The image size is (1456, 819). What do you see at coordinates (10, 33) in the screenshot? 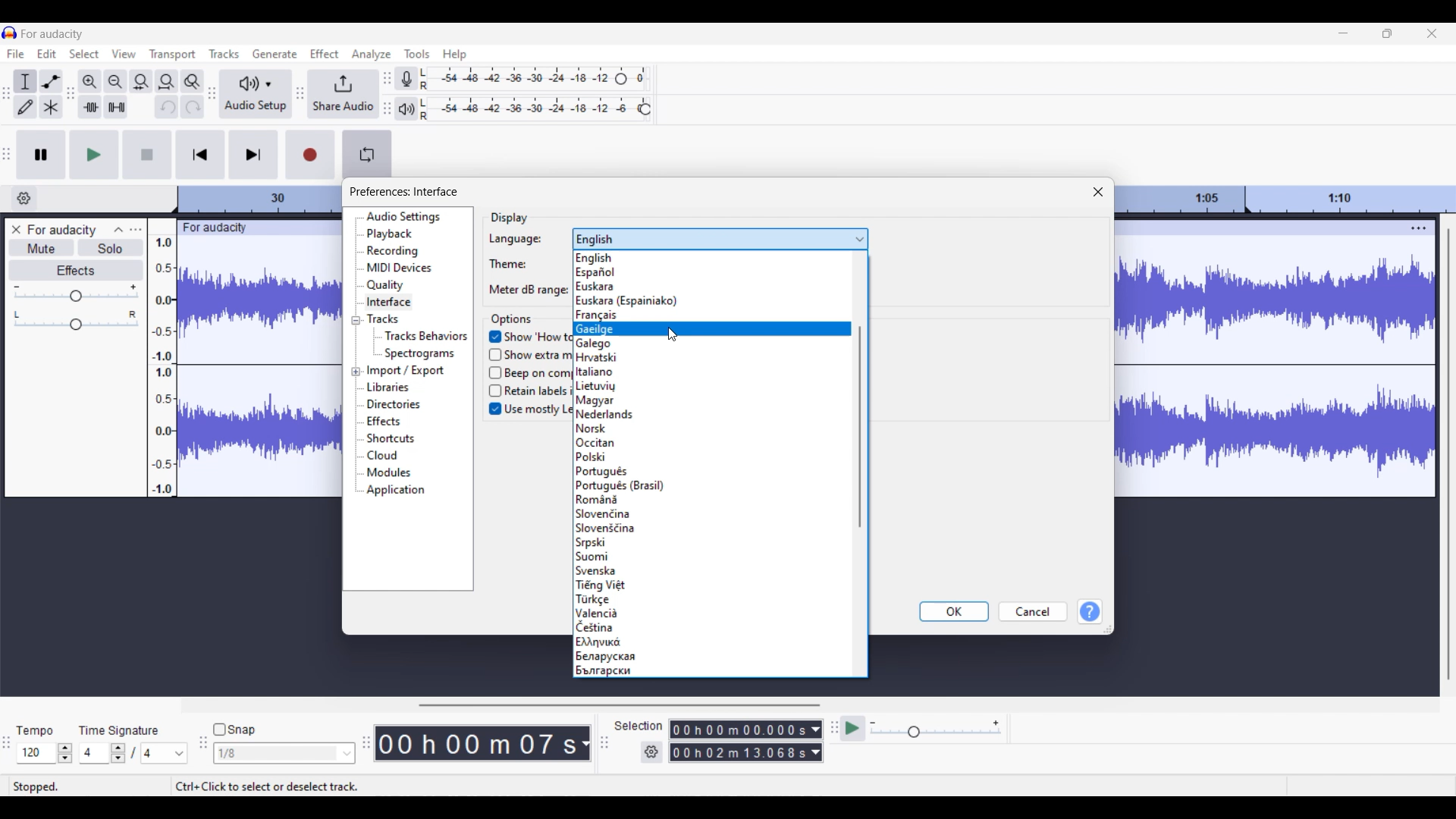
I see `Software logo` at bounding box center [10, 33].